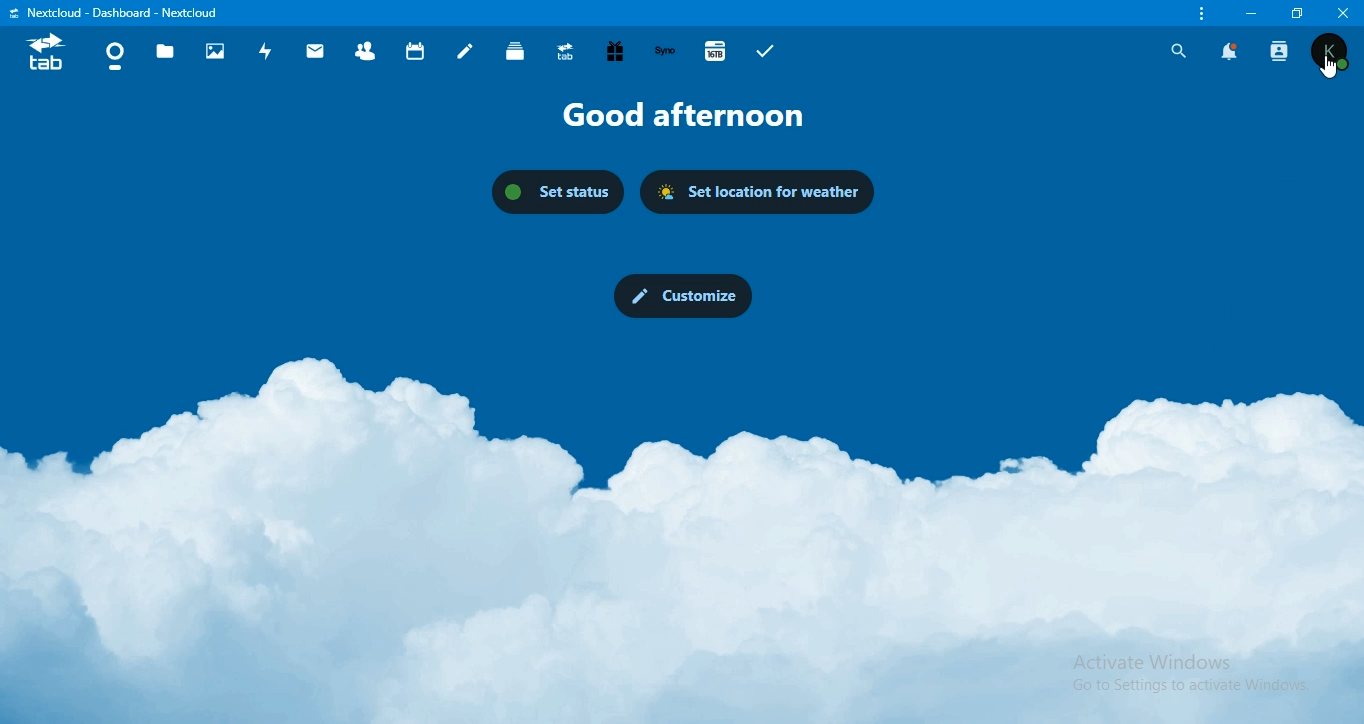  Describe the element at coordinates (123, 12) in the screenshot. I see `text` at that location.